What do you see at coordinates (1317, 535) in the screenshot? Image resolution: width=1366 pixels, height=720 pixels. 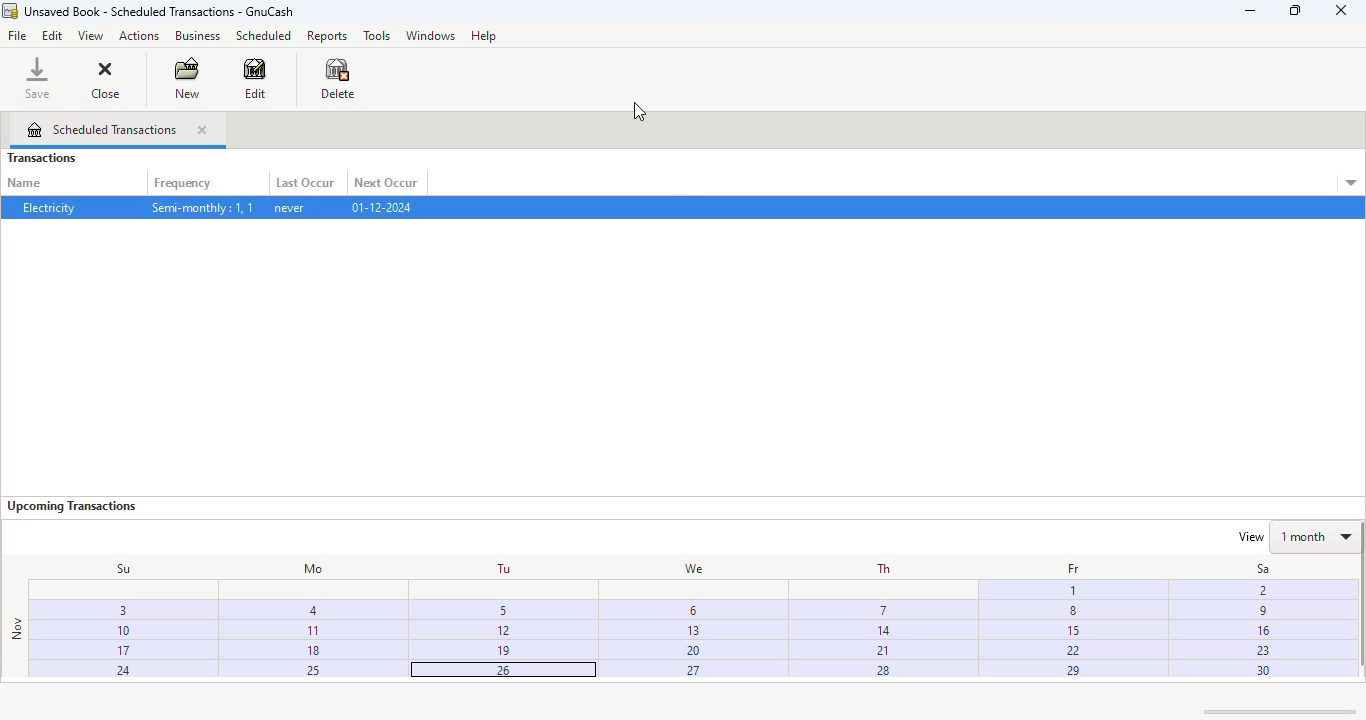 I see `1 month` at bounding box center [1317, 535].